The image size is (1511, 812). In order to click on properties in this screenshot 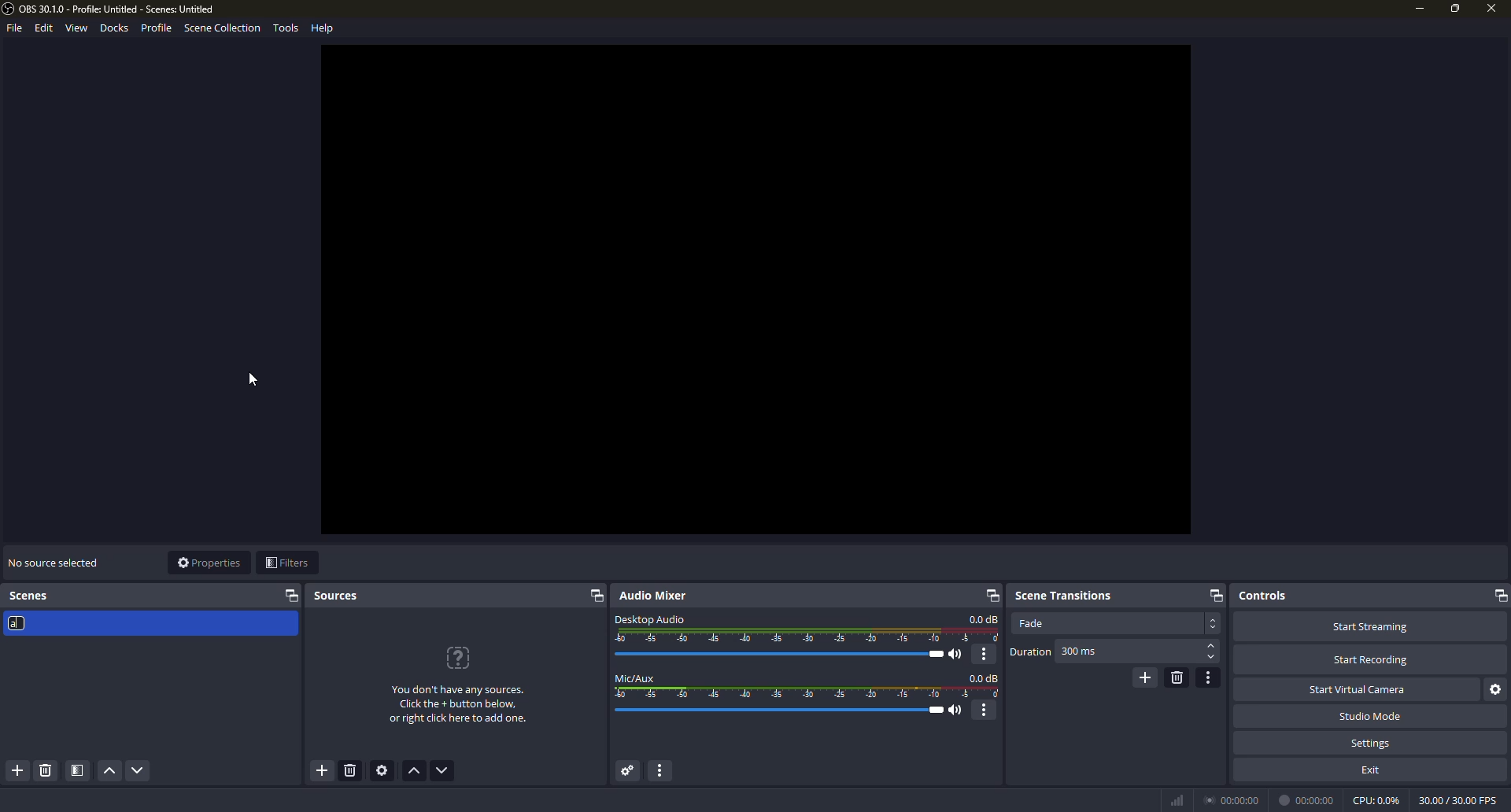, I will do `click(209, 563)`.